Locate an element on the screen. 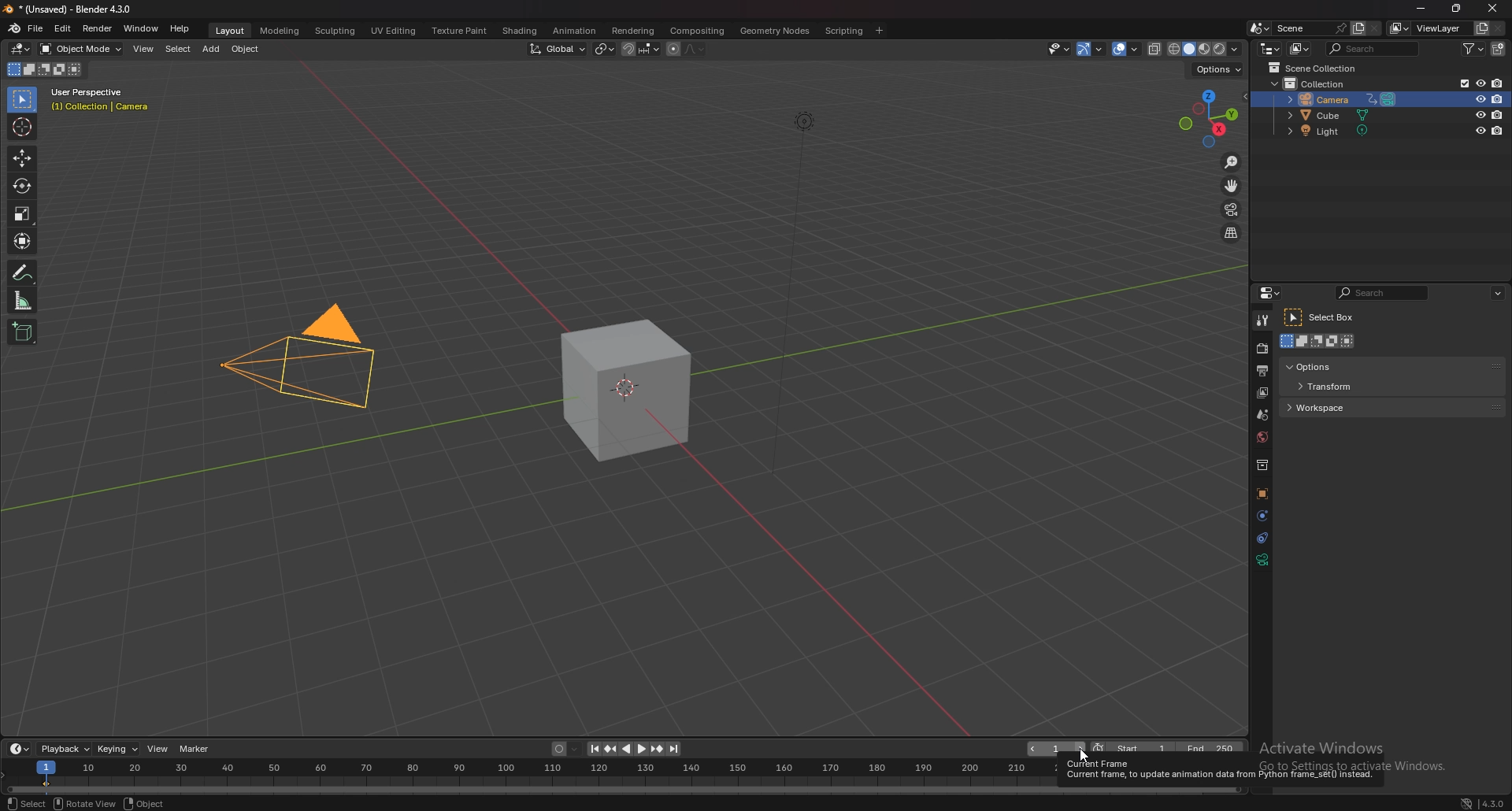 The width and height of the screenshot is (1512, 811). workspace is located at coordinates (1335, 406).